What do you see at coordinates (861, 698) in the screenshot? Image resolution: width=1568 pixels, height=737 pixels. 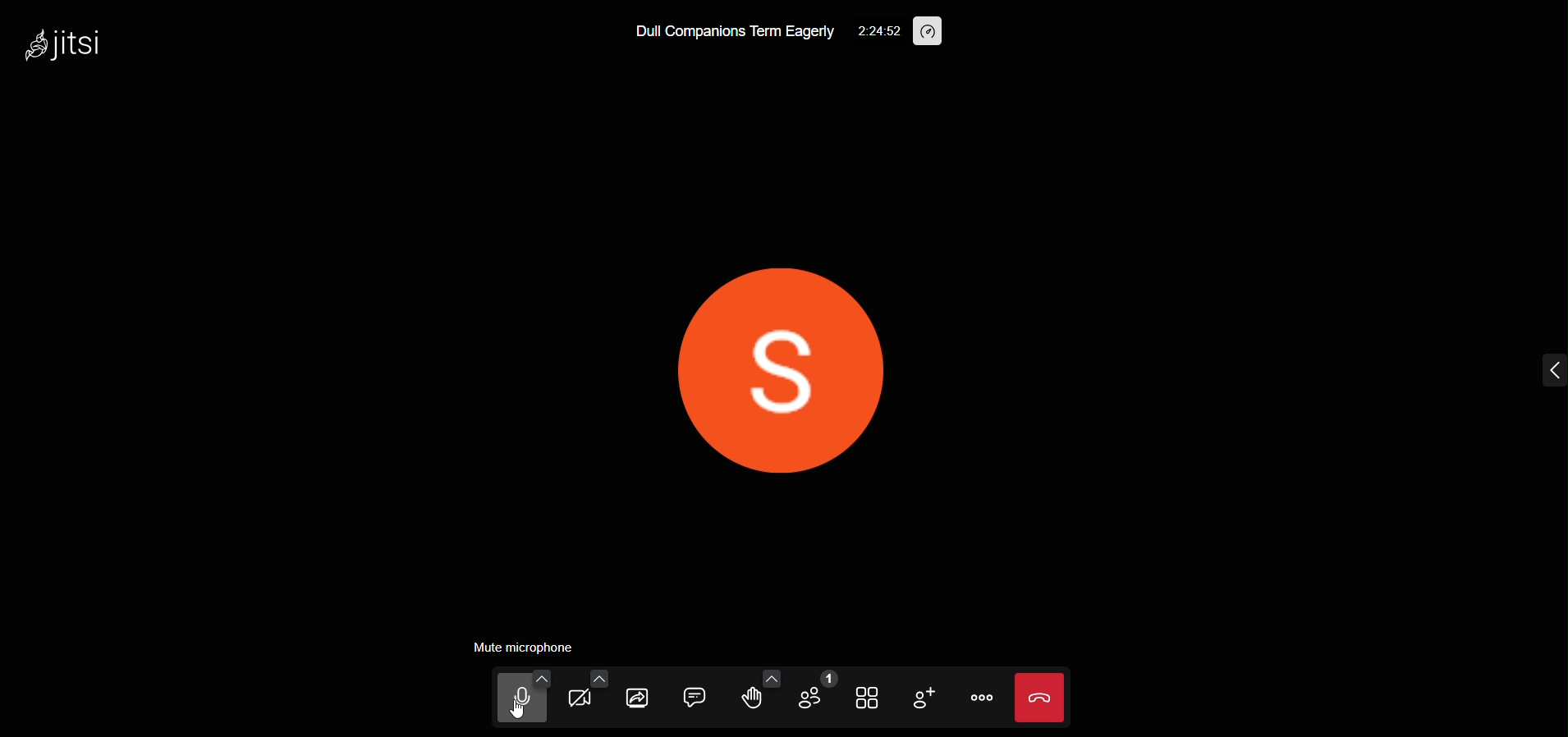 I see `tile view` at bounding box center [861, 698].